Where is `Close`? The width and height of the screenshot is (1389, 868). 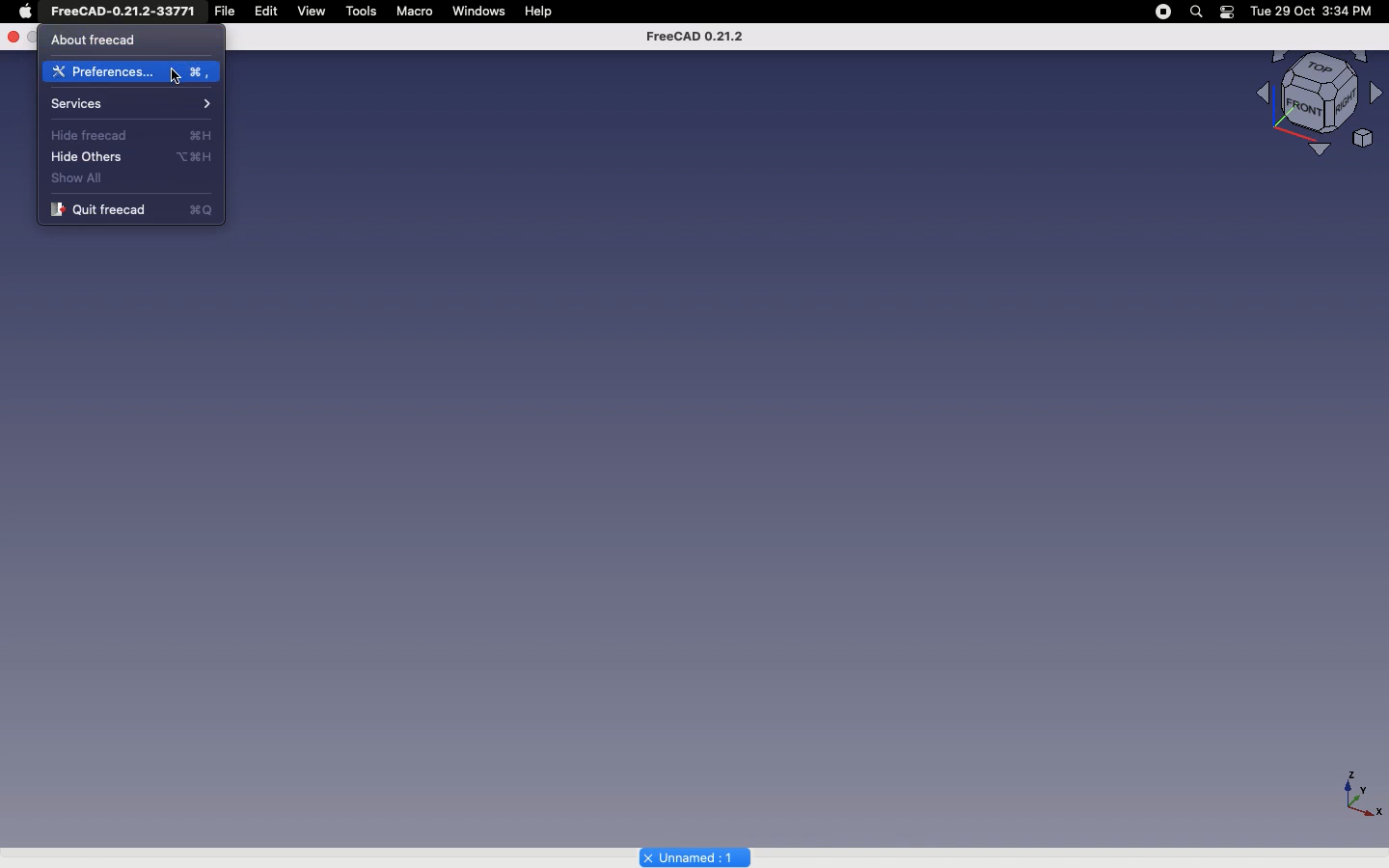
Close is located at coordinates (16, 36).